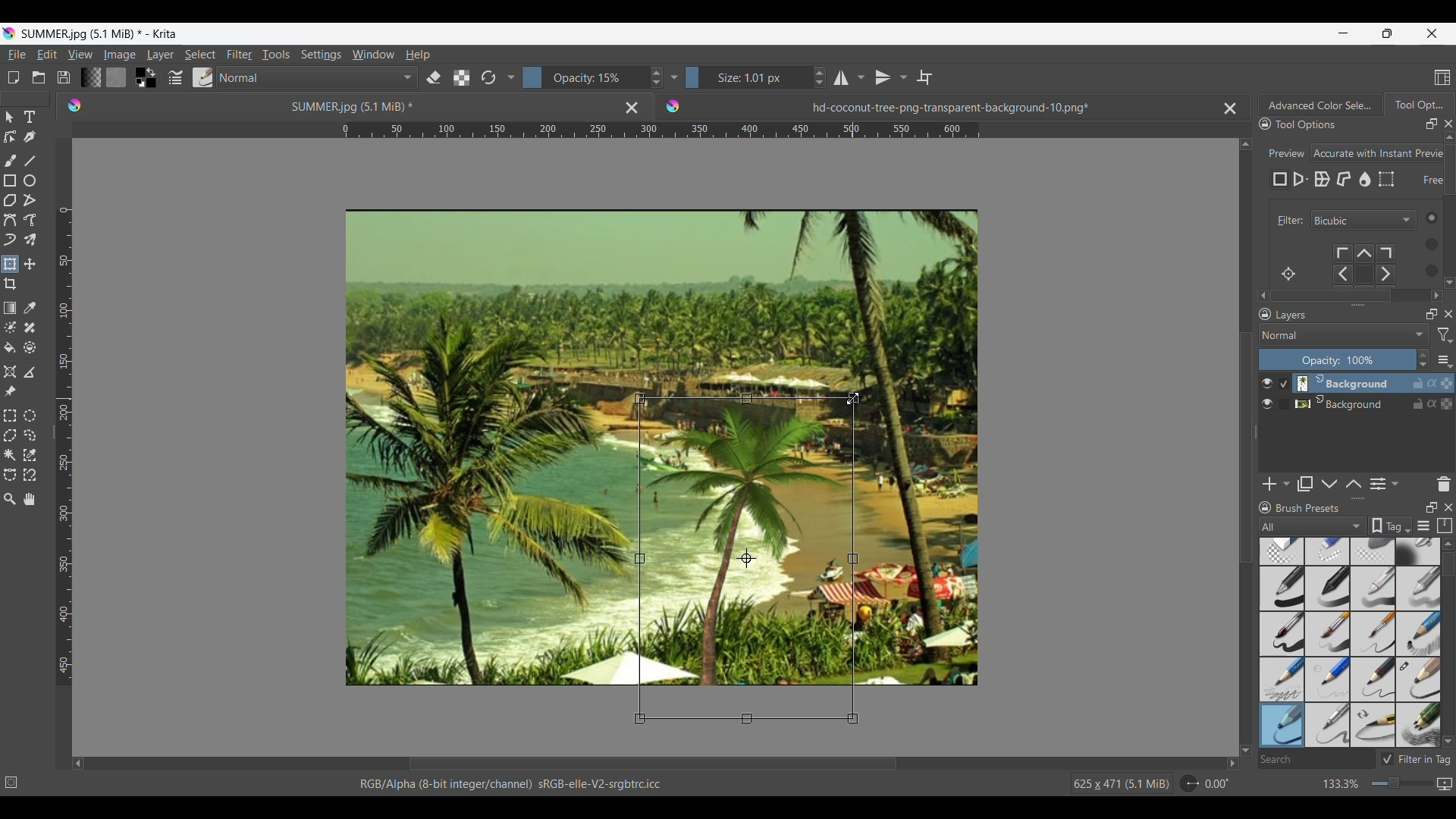 The height and width of the screenshot is (819, 1456). I want to click on Measure the distance between two points, so click(30, 372).